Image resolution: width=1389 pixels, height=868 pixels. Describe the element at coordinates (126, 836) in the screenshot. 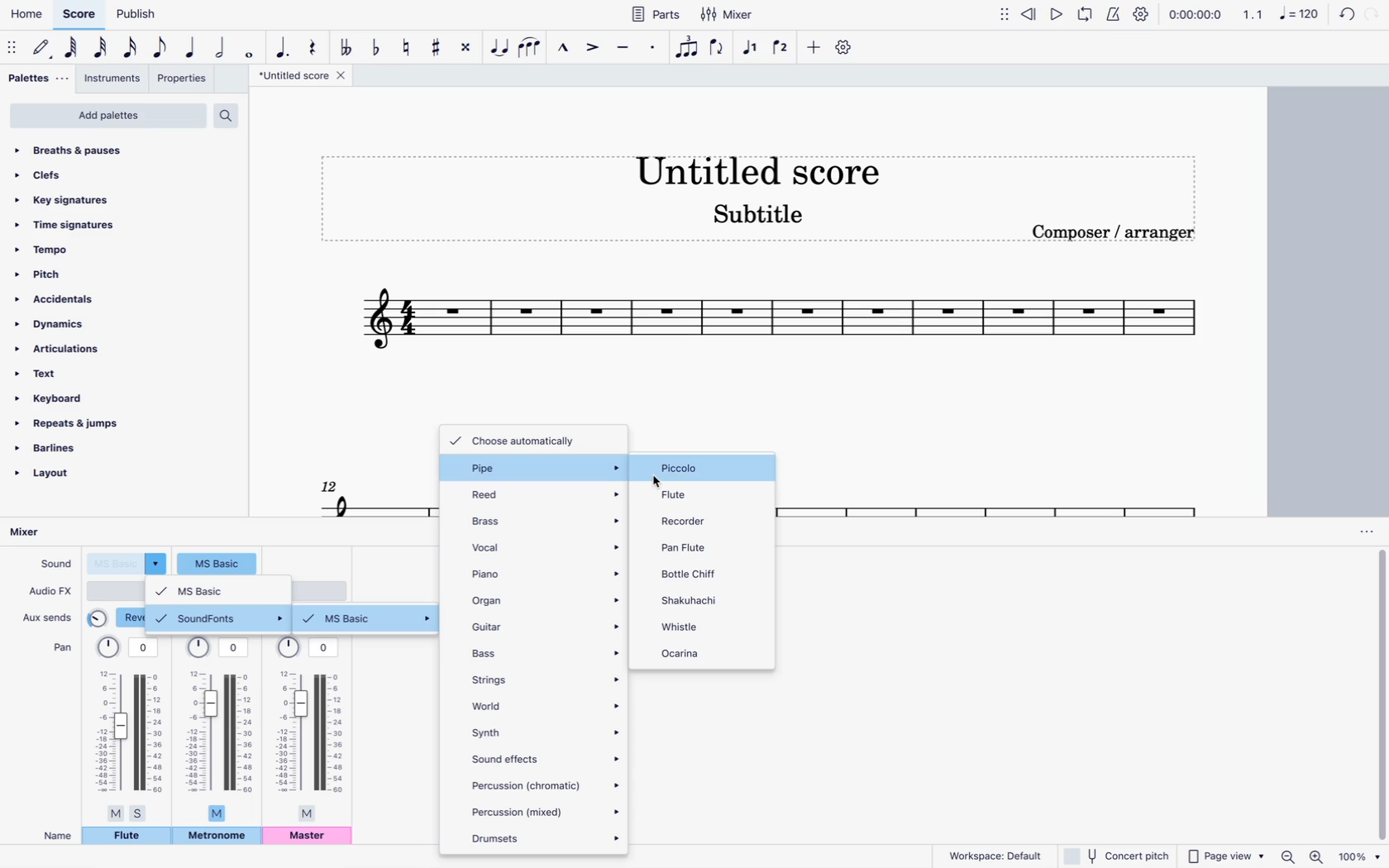

I see `flute` at that location.